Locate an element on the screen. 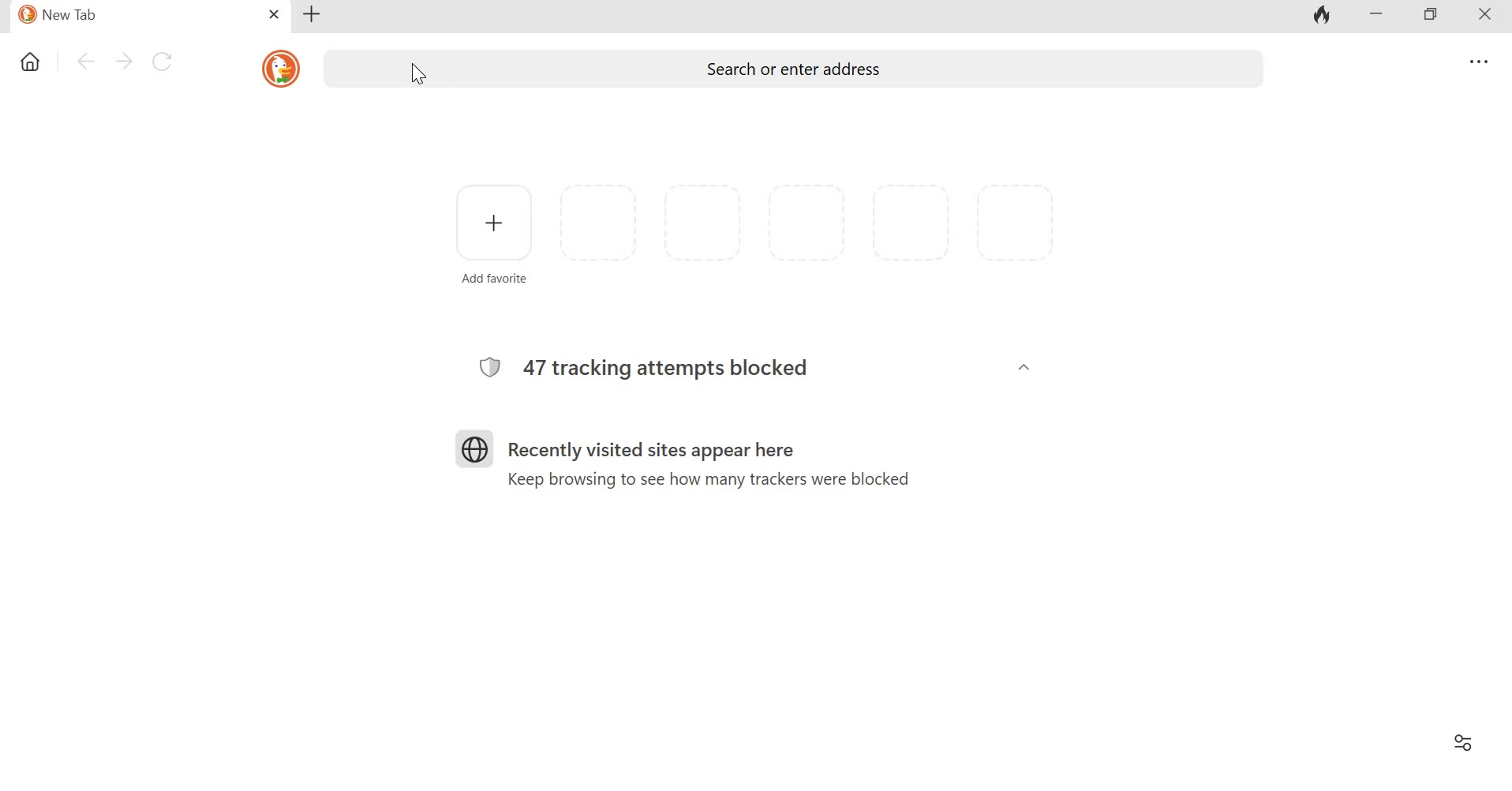 The image size is (1512, 791). Close is located at coordinates (1488, 16).